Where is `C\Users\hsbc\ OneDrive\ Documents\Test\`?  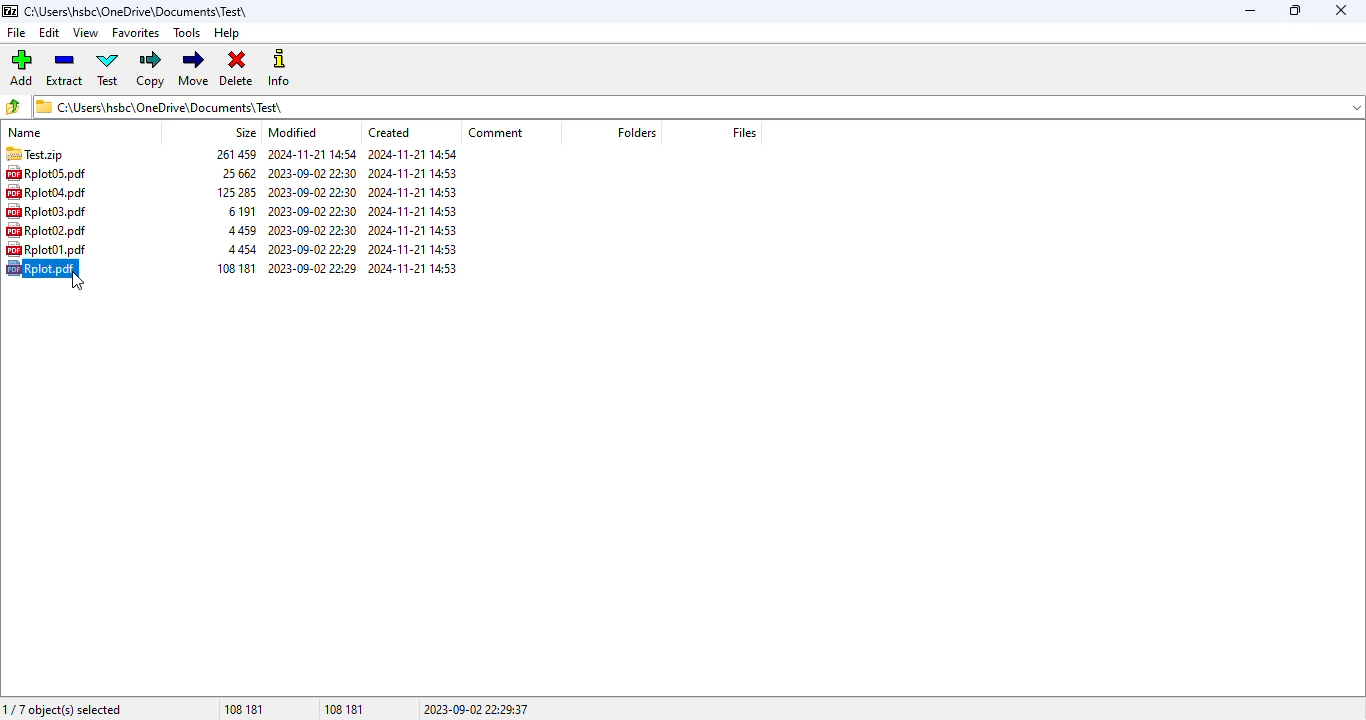
C\Users\hsbc\ OneDrive\ Documents\Test\ is located at coordinates (697, 108).